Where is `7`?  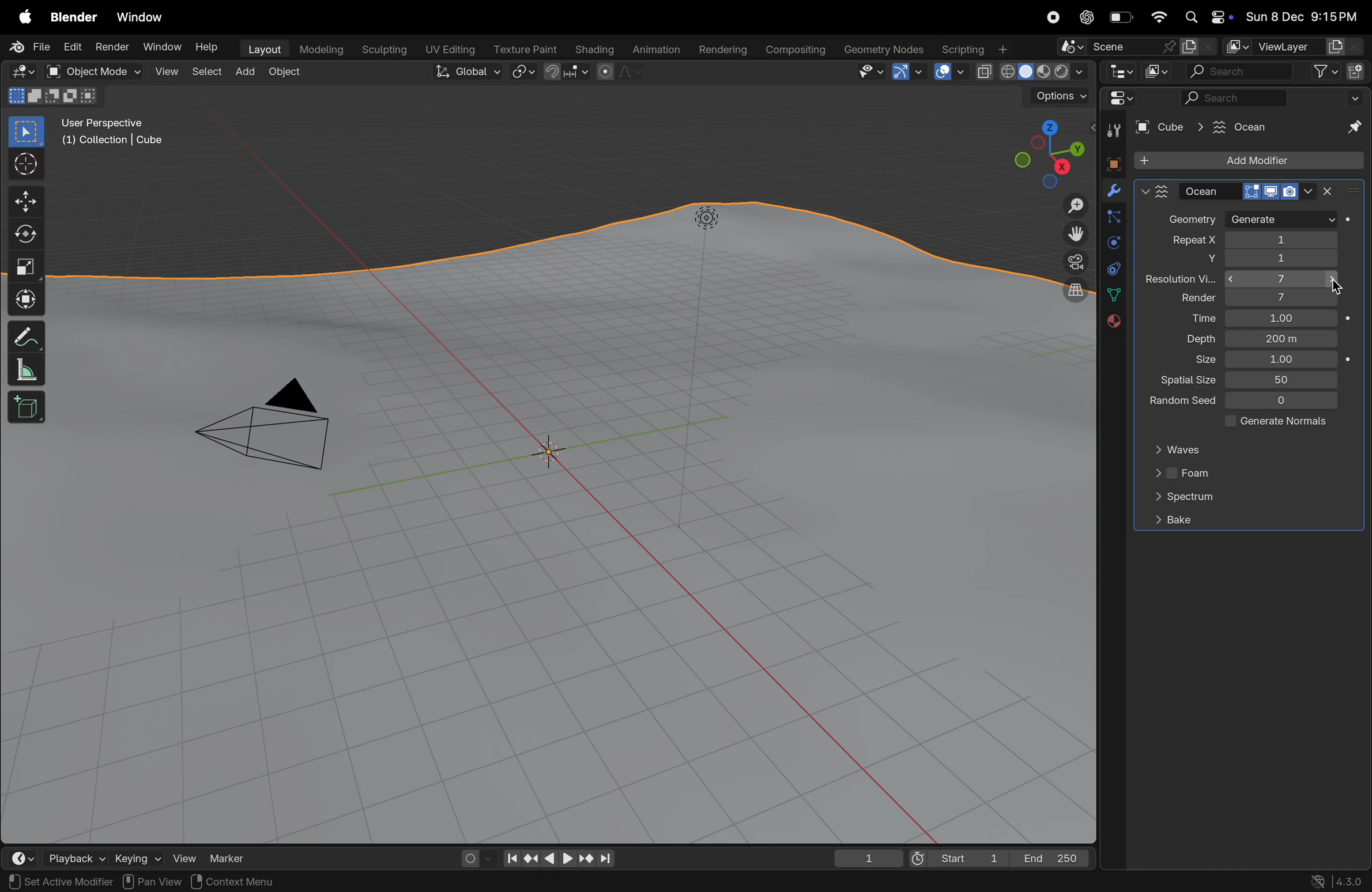
7 is located at coordinates (1280, 298).